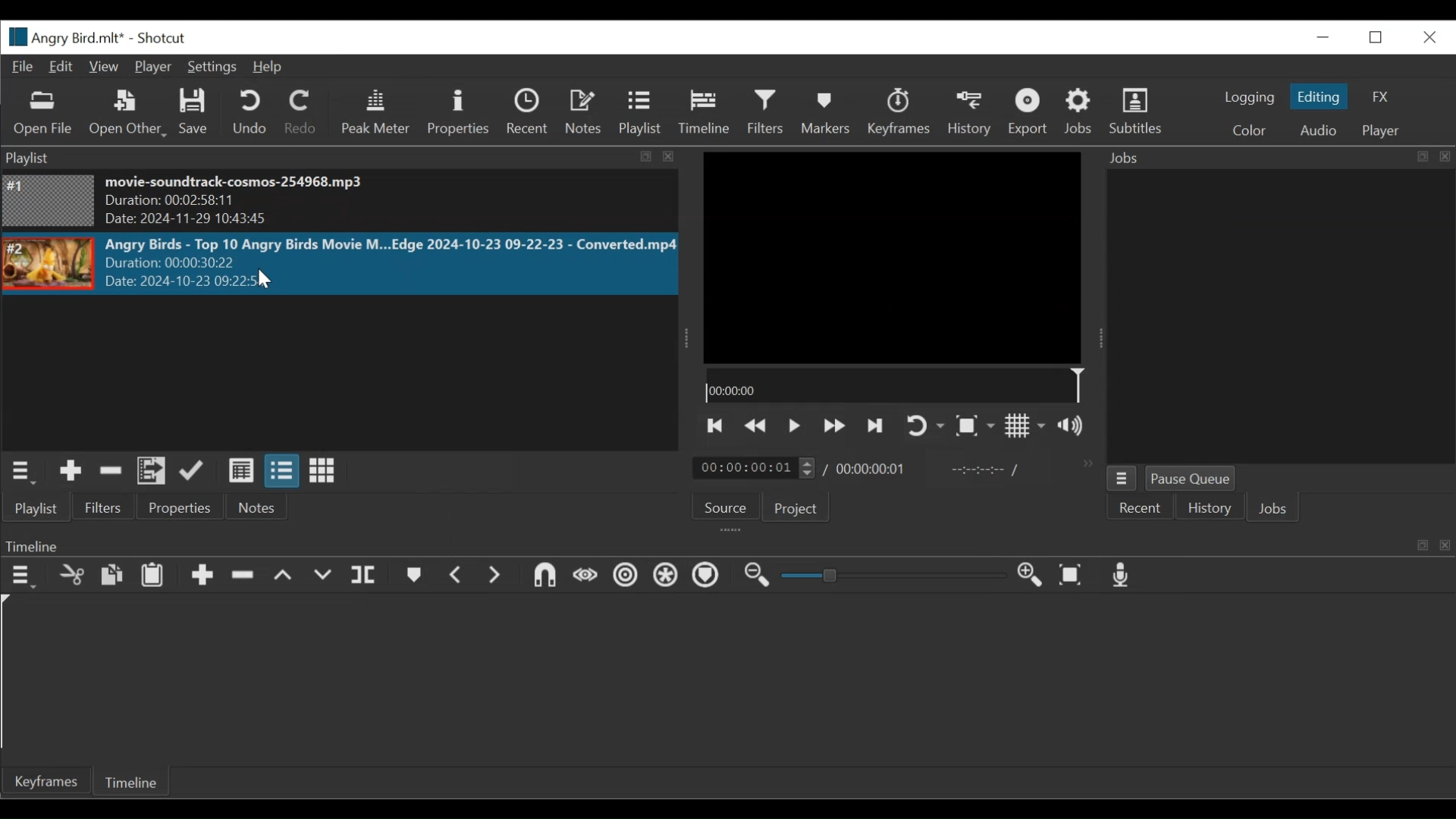  What do you see at coordinates (1080, 114) in the screenshot?
I see `Jobs` at bounding box center [1080, 114].